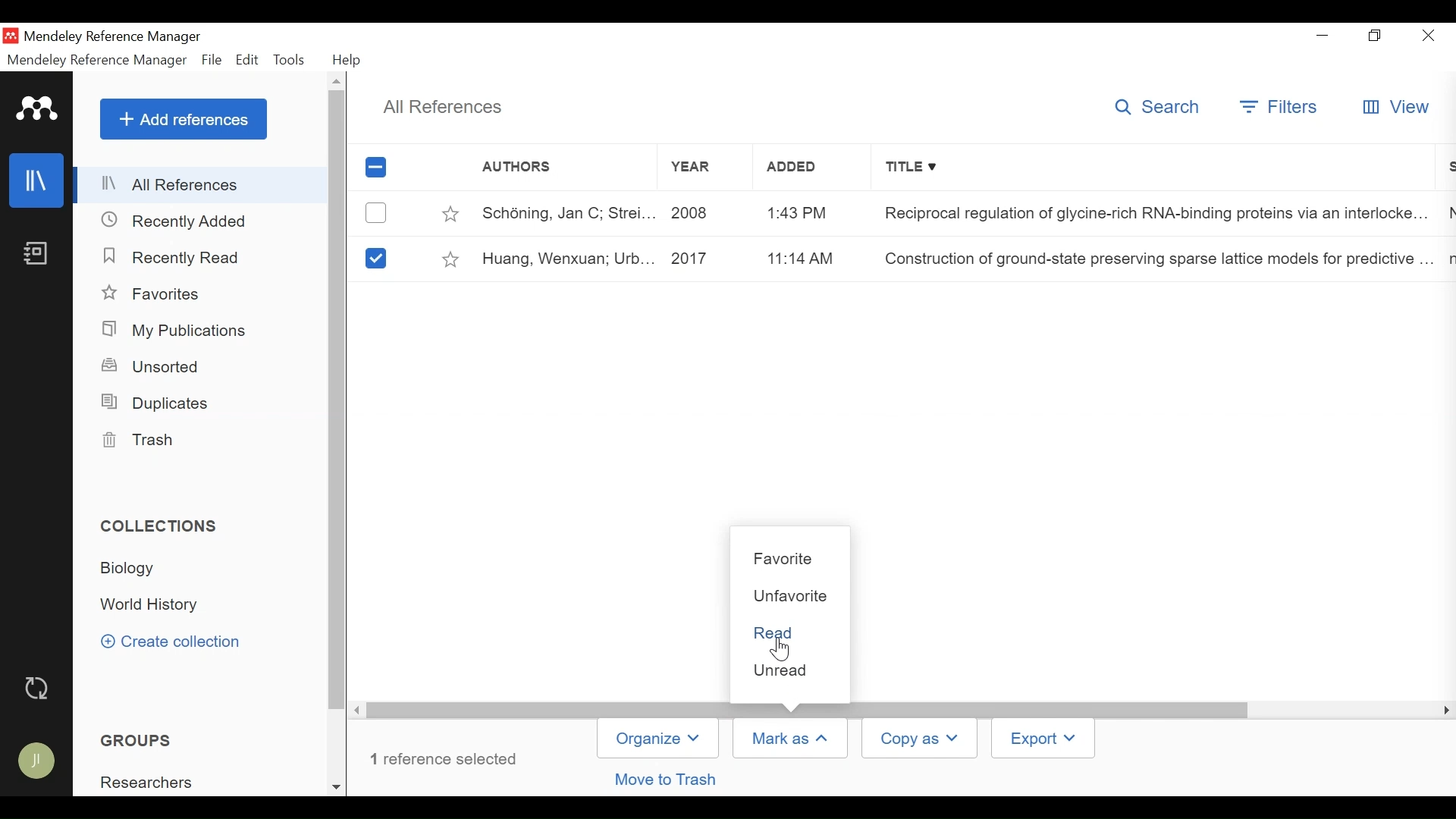 This screenshot has width=1456, height=819. I want to click on Collection, so click(133, 570).